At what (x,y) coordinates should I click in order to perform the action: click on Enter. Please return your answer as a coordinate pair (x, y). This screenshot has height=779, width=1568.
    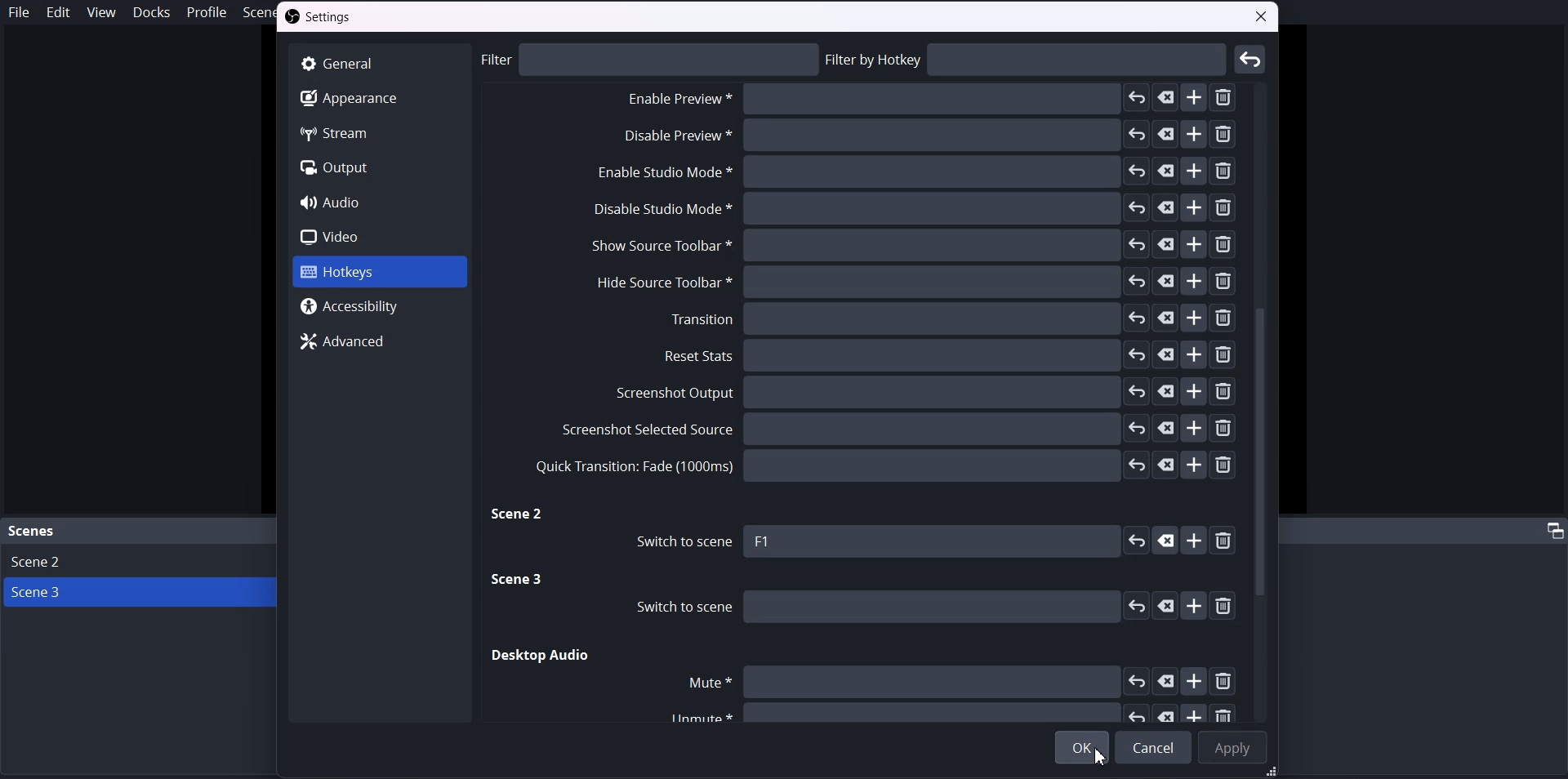
    Looking at the image, I should click on (1251, 59).